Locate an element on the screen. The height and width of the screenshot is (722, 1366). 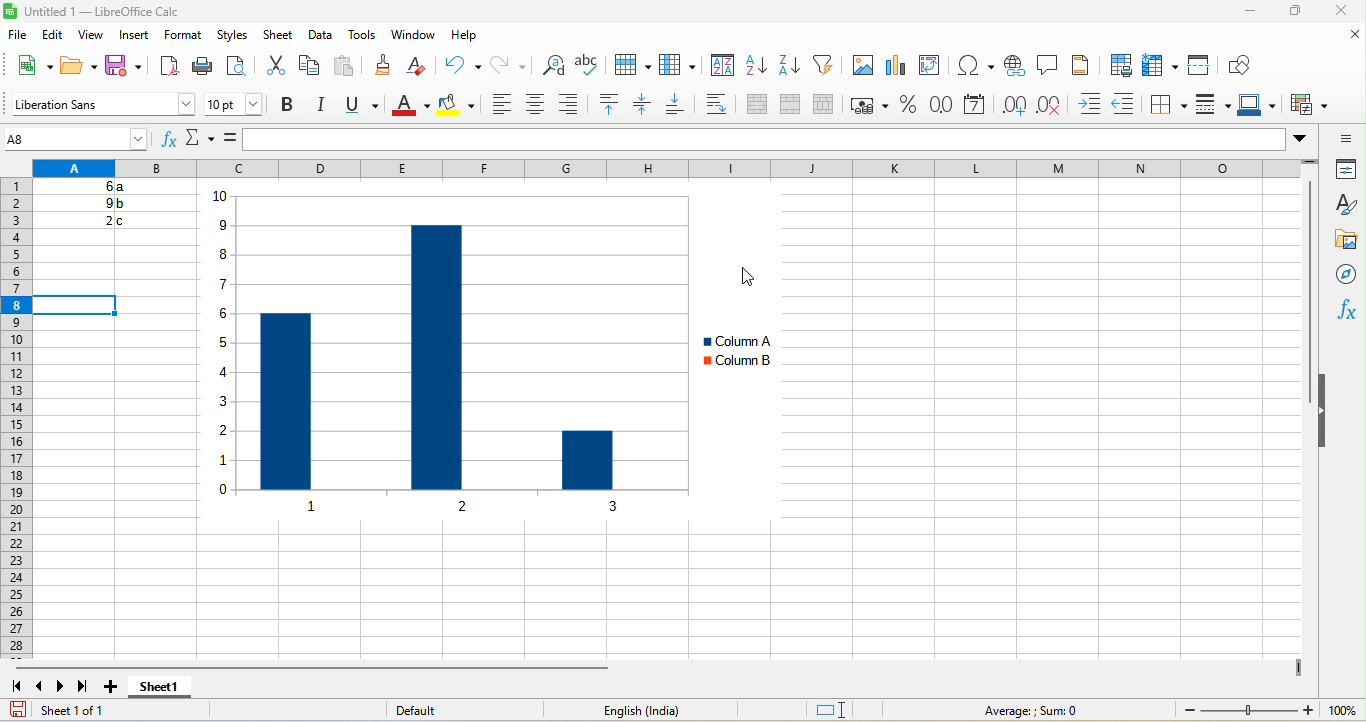
first sheet is located at coordinates (16, 688).